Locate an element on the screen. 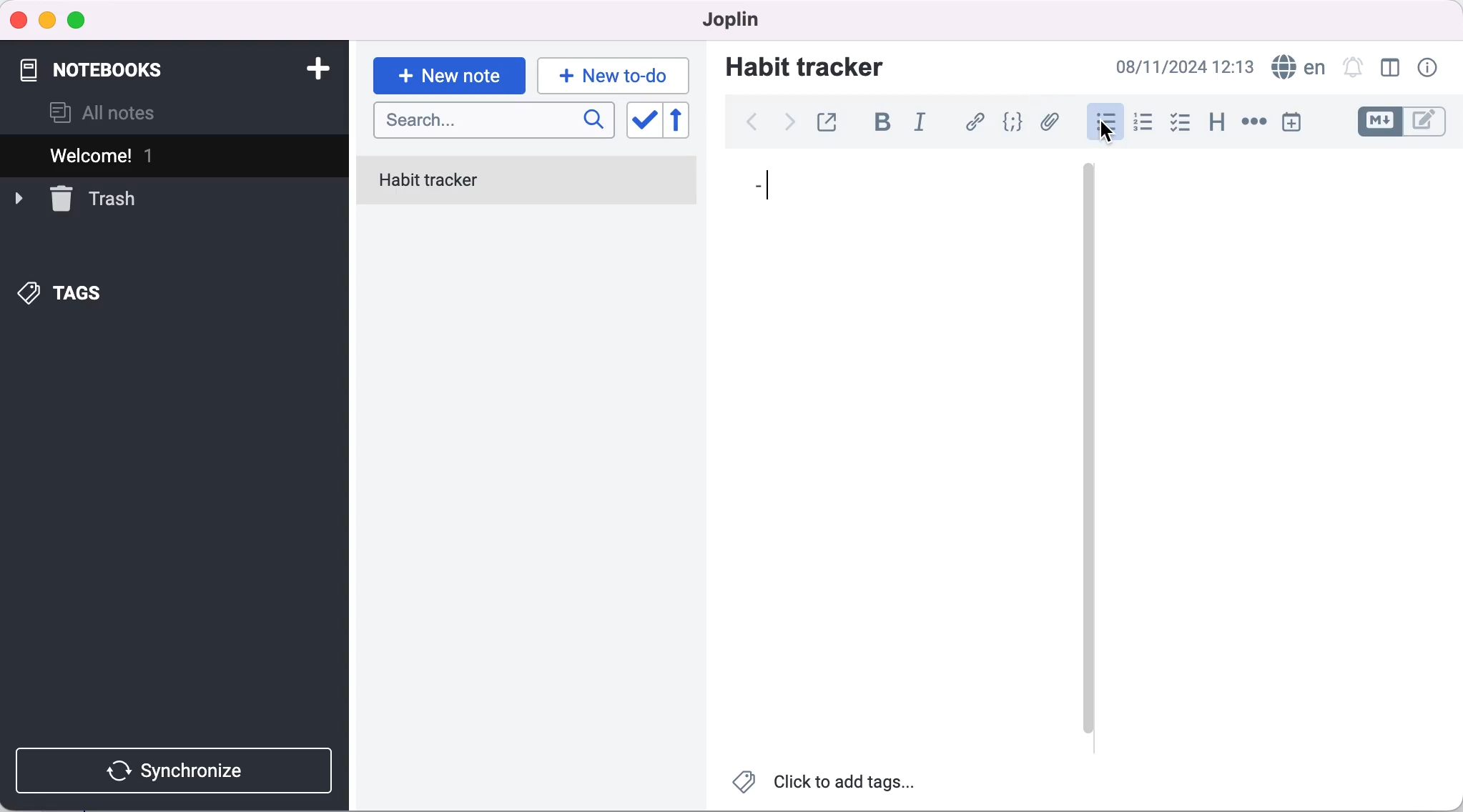 The height and width of the screenshot is (812, 1463). add file is located at coordinates (1053, 124).